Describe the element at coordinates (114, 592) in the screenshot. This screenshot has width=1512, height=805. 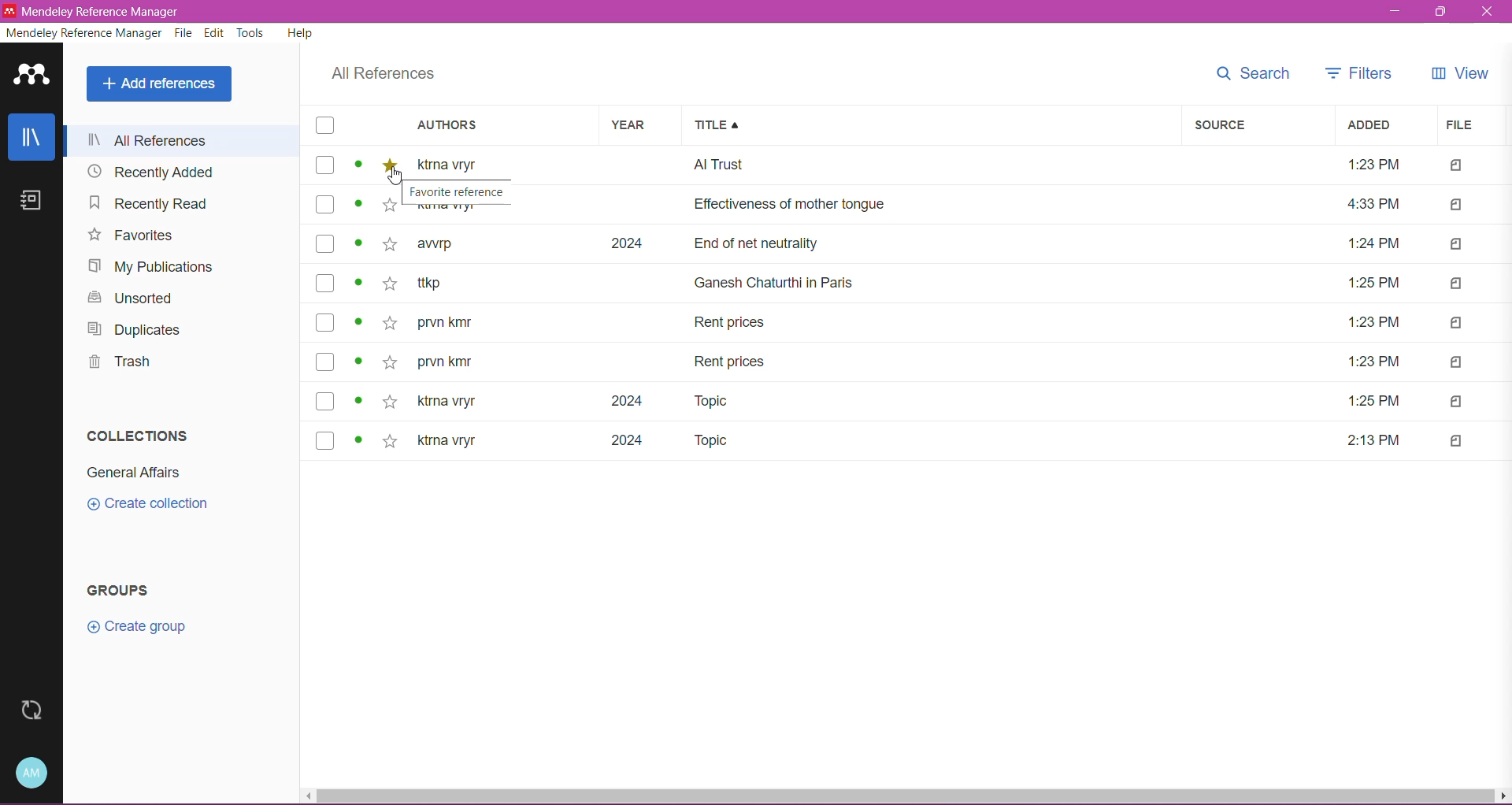
I see `Groups` at that location.